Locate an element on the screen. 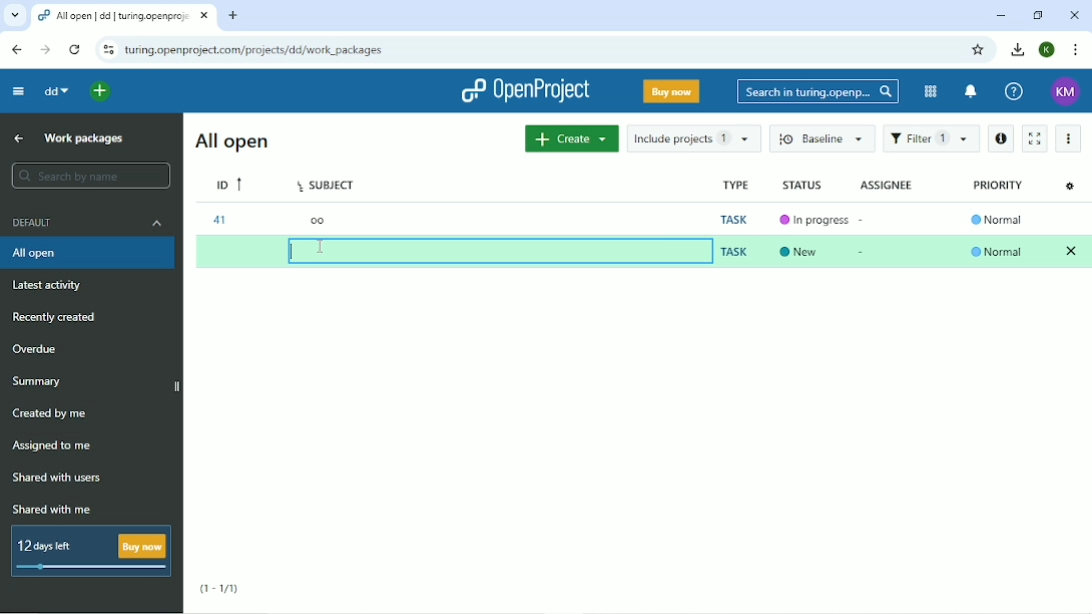  K is located at coordinates (1046, 50).